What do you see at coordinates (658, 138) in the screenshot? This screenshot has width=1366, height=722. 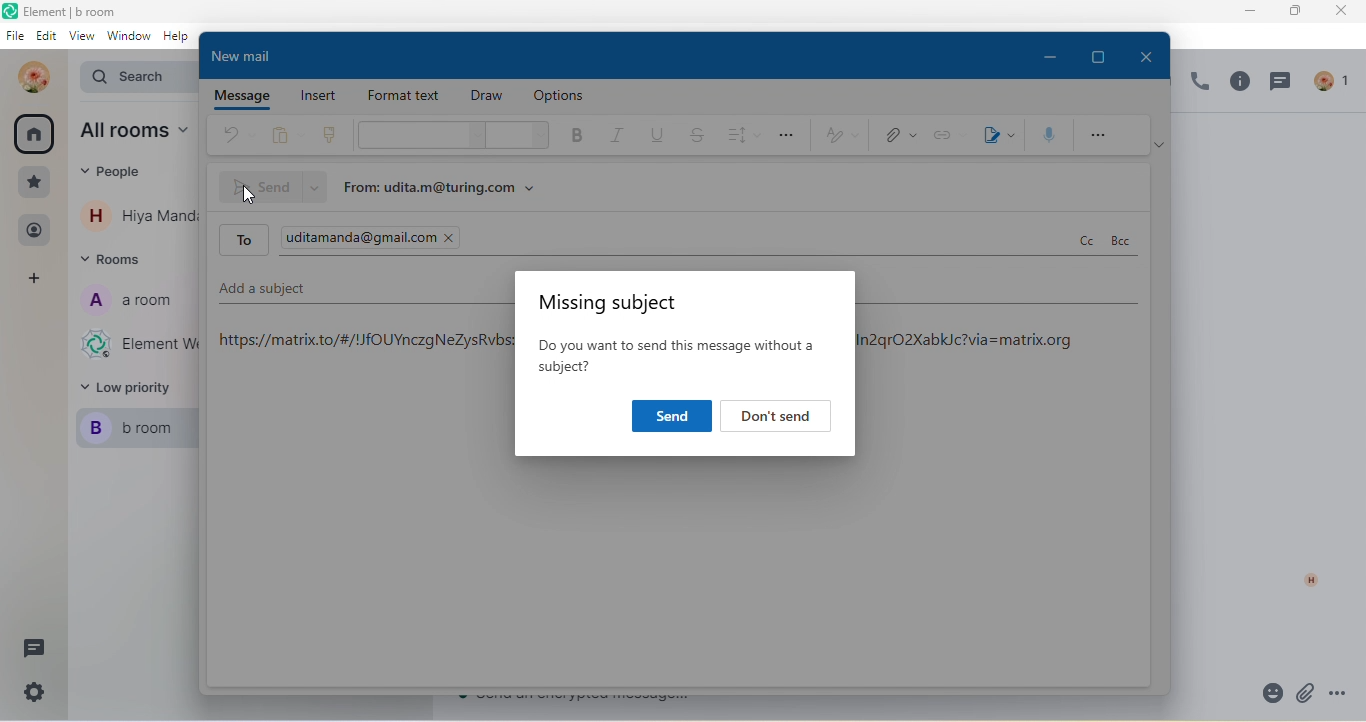 I see `underline` at bounding box center [658, 138].